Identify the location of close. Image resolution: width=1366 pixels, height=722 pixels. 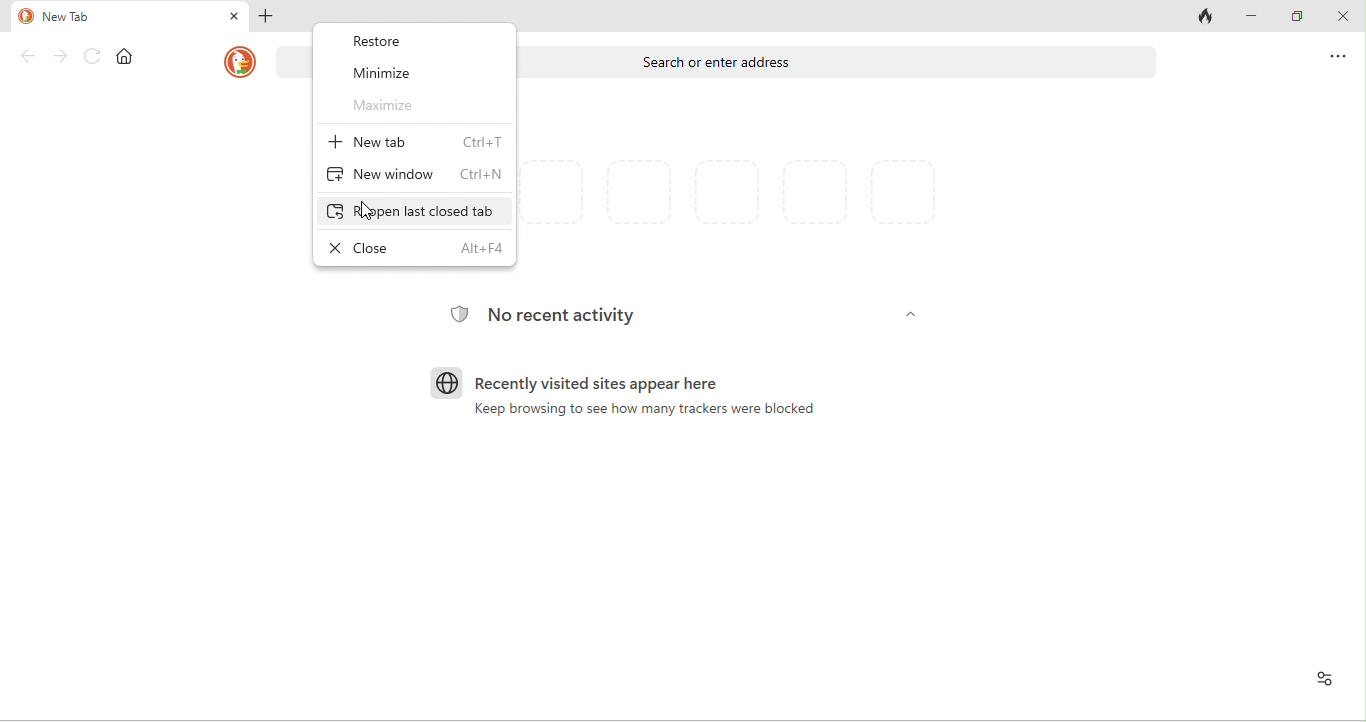
(234, 17).